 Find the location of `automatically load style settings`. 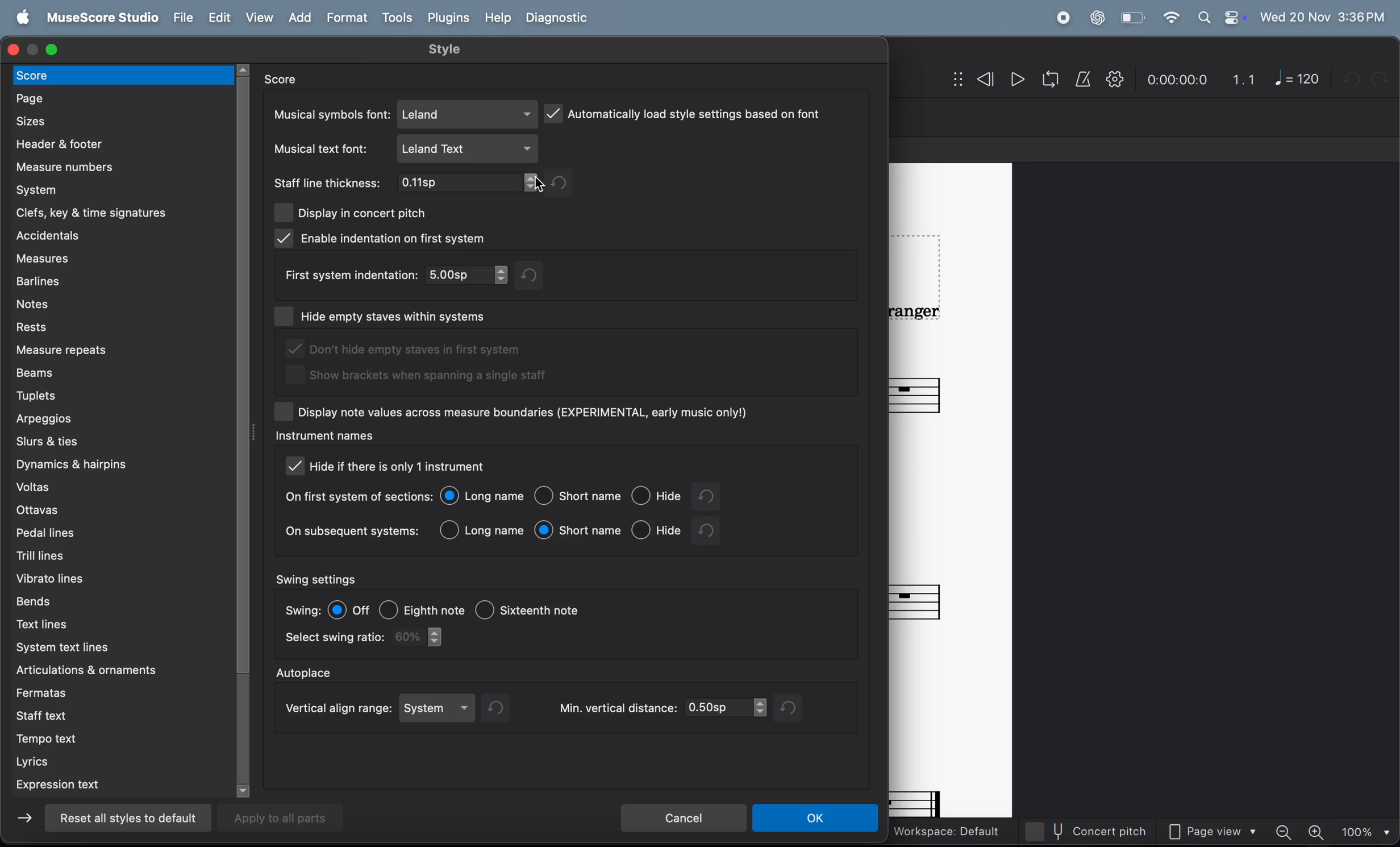

automatically load style settings is located at coordinates (685, 112).